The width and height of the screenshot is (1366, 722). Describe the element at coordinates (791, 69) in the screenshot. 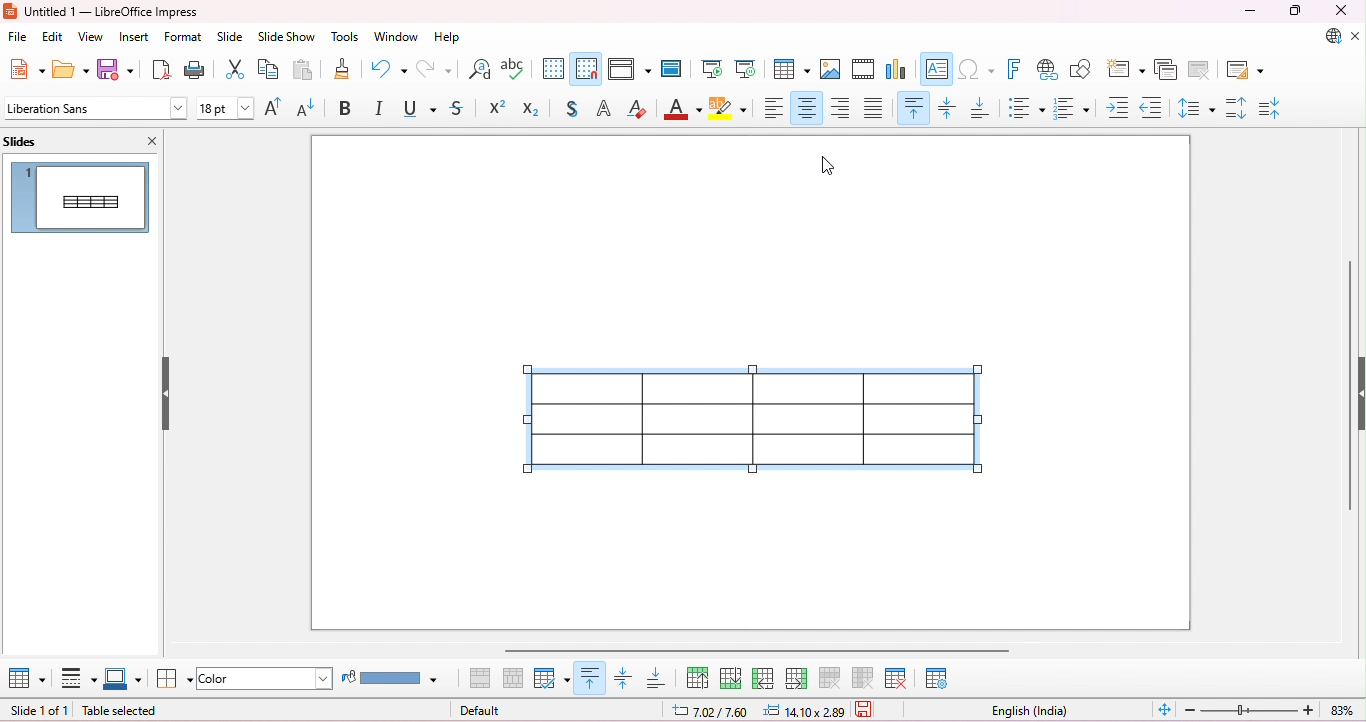

I see `insert table` at that location.